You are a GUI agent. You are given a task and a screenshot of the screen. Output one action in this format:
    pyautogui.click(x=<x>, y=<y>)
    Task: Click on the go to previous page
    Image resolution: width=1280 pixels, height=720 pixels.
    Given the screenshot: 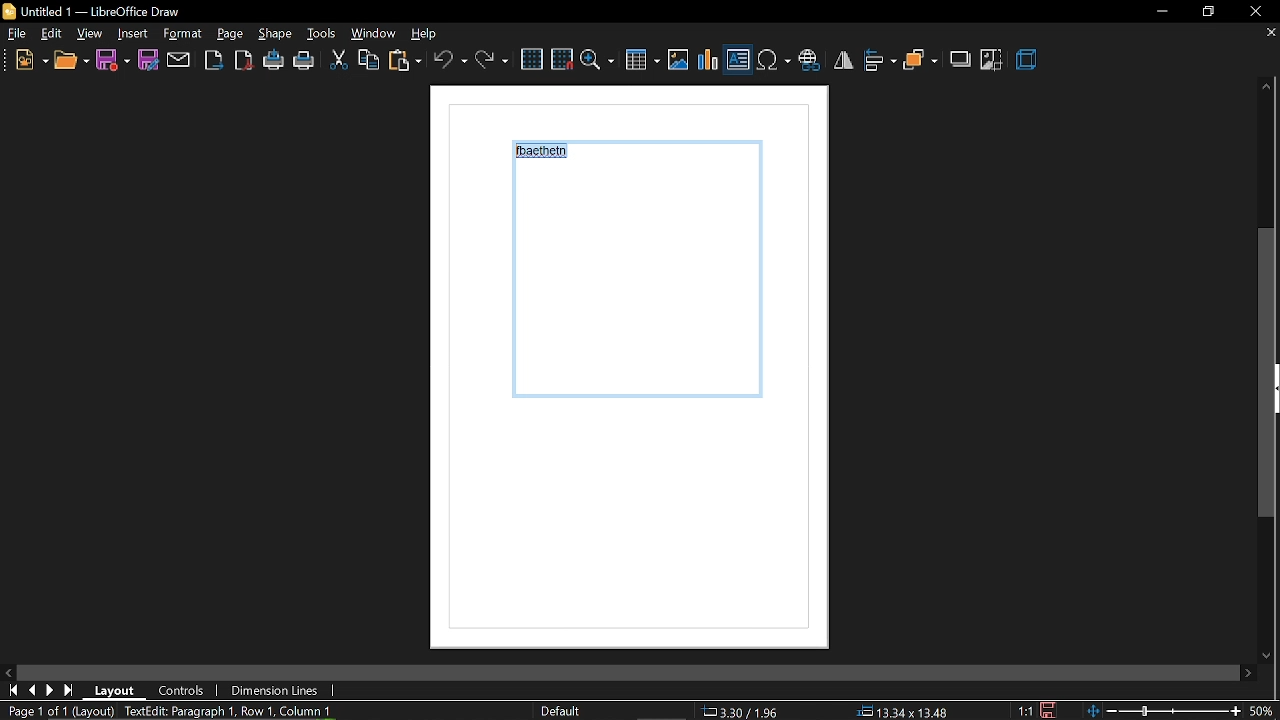 What is the action you would take?
    pyautogui.click(x=32, y=691)
    